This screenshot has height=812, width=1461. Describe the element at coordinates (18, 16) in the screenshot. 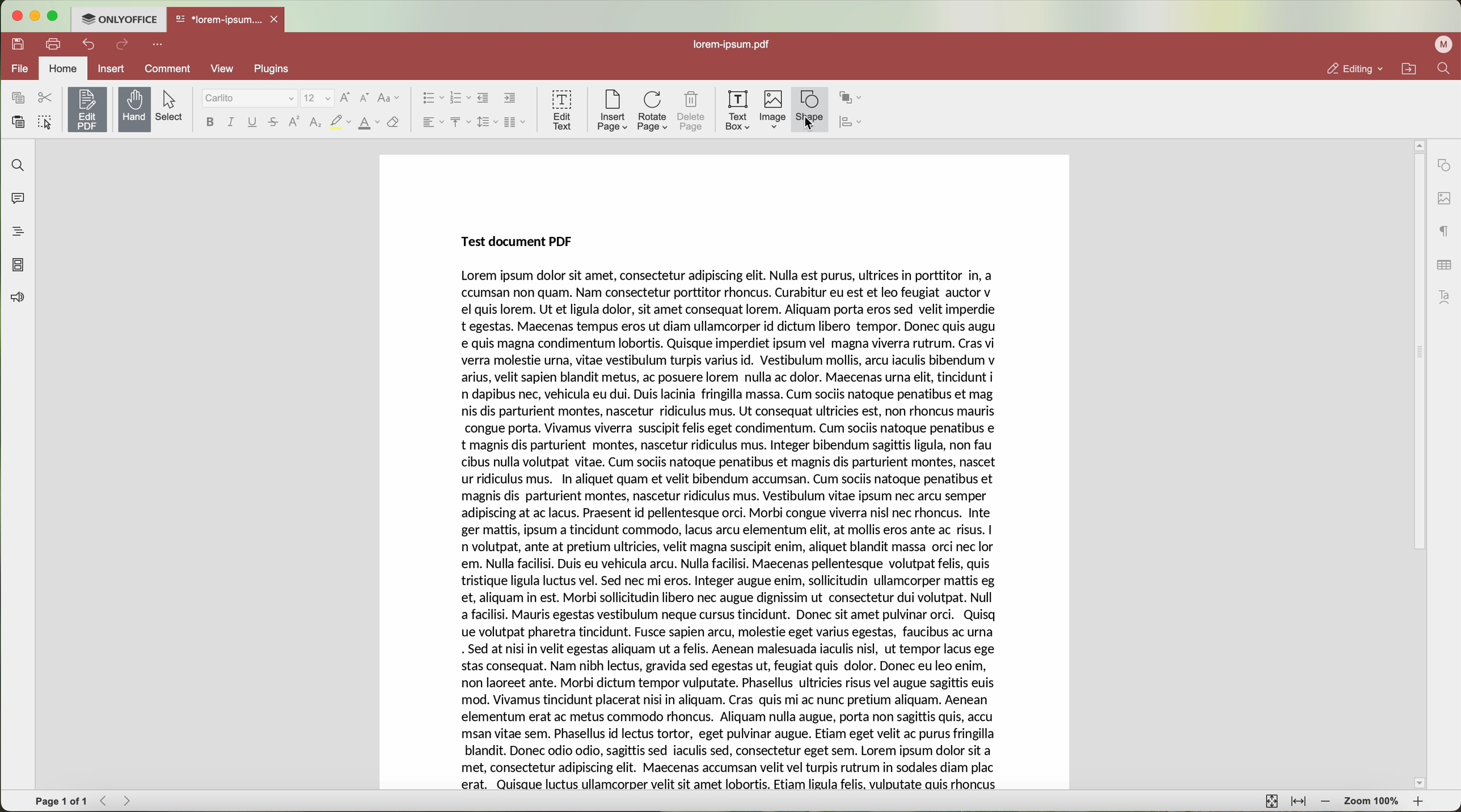

I see `close program` at that location.